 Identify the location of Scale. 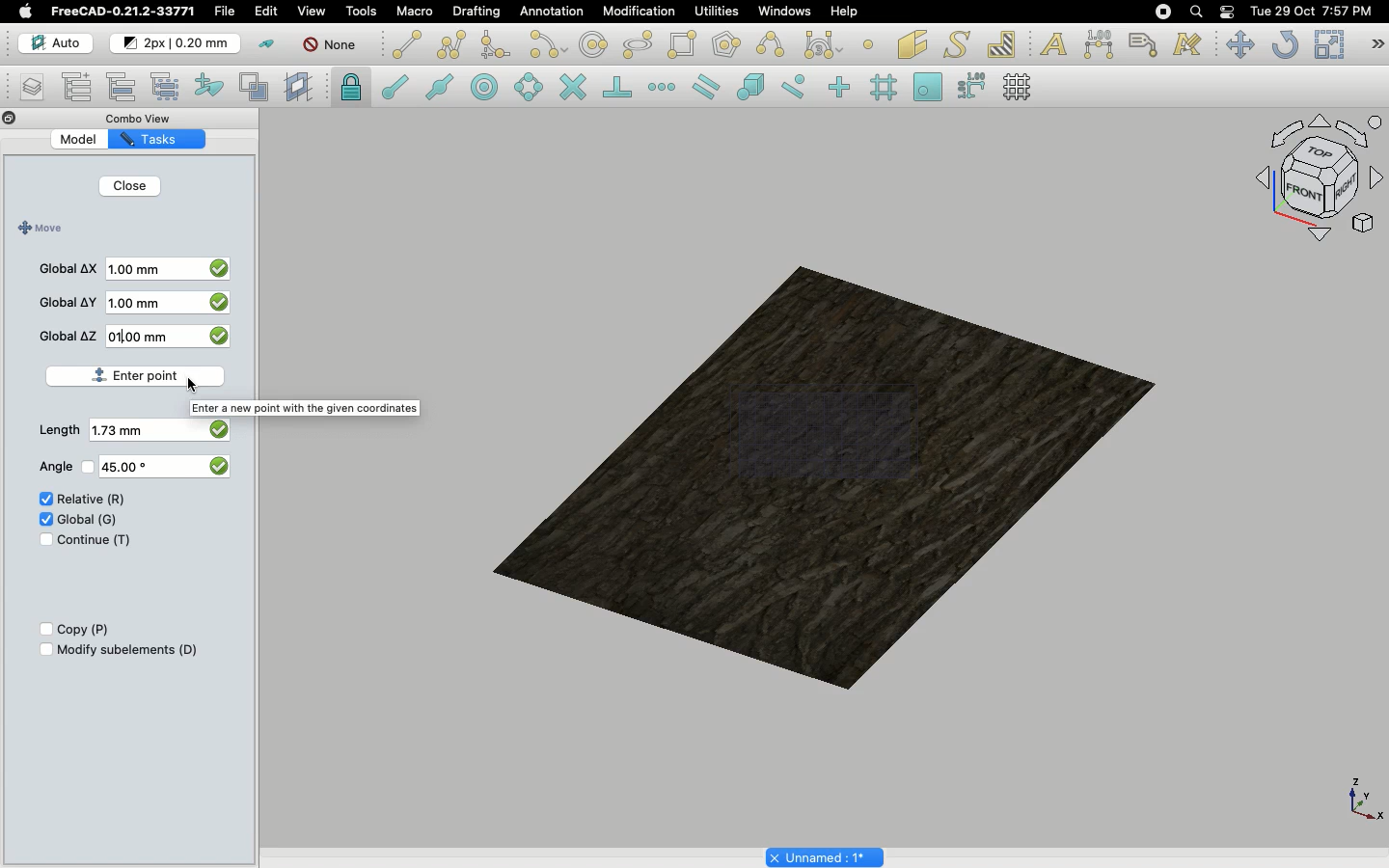
(1328, 44).